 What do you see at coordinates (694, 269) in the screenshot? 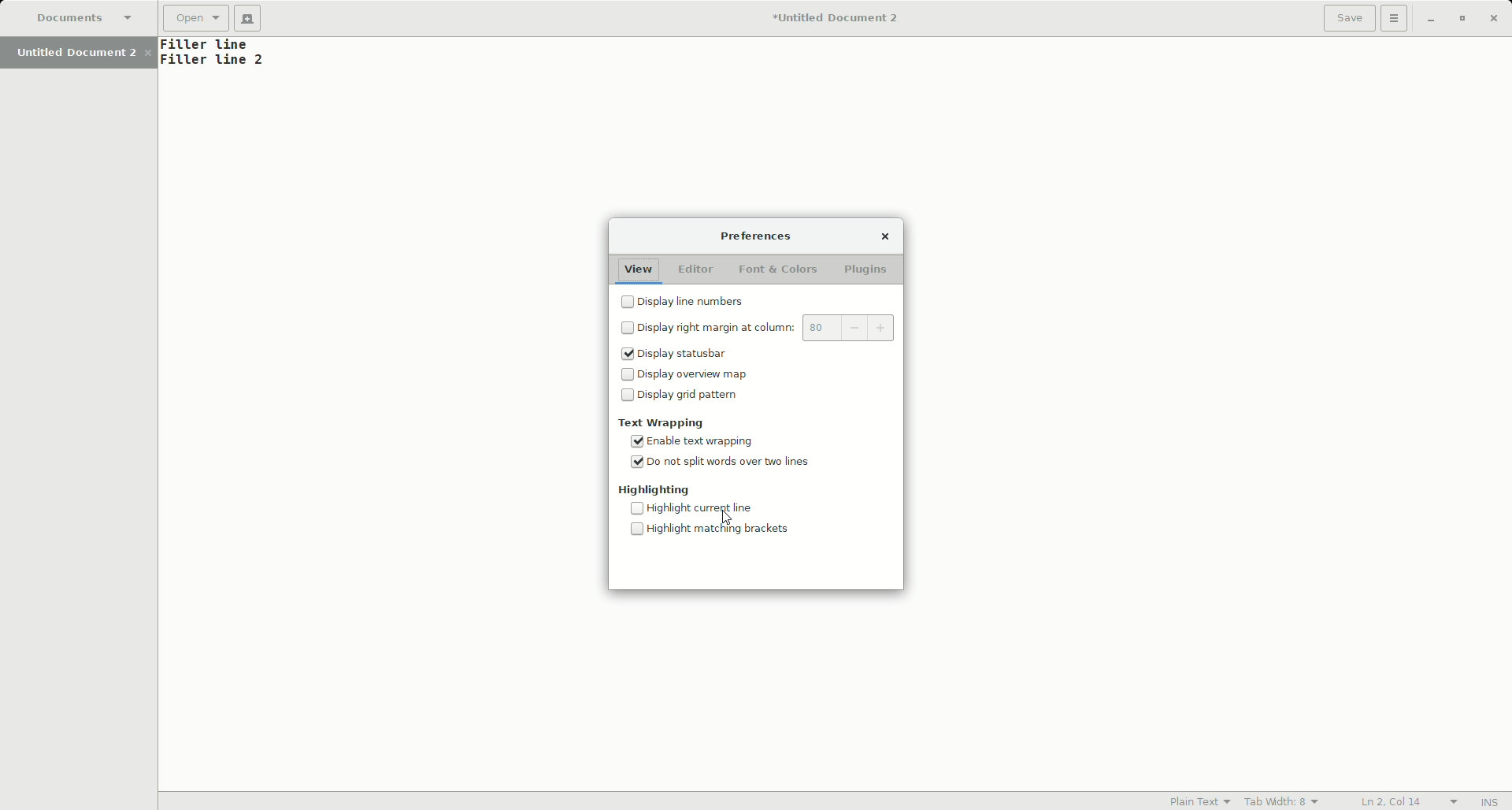
I see `Editor` at bounding box center [694, 269].